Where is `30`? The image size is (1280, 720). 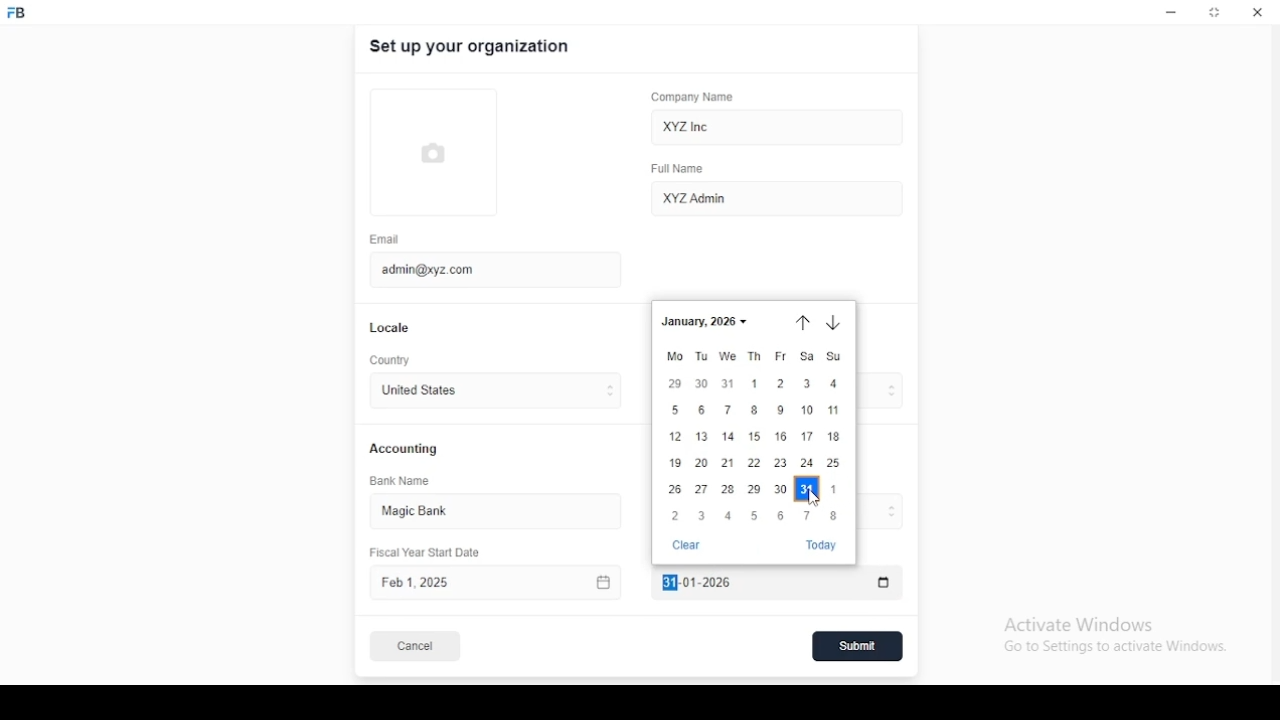
30 is located at coordinates (780, 489).